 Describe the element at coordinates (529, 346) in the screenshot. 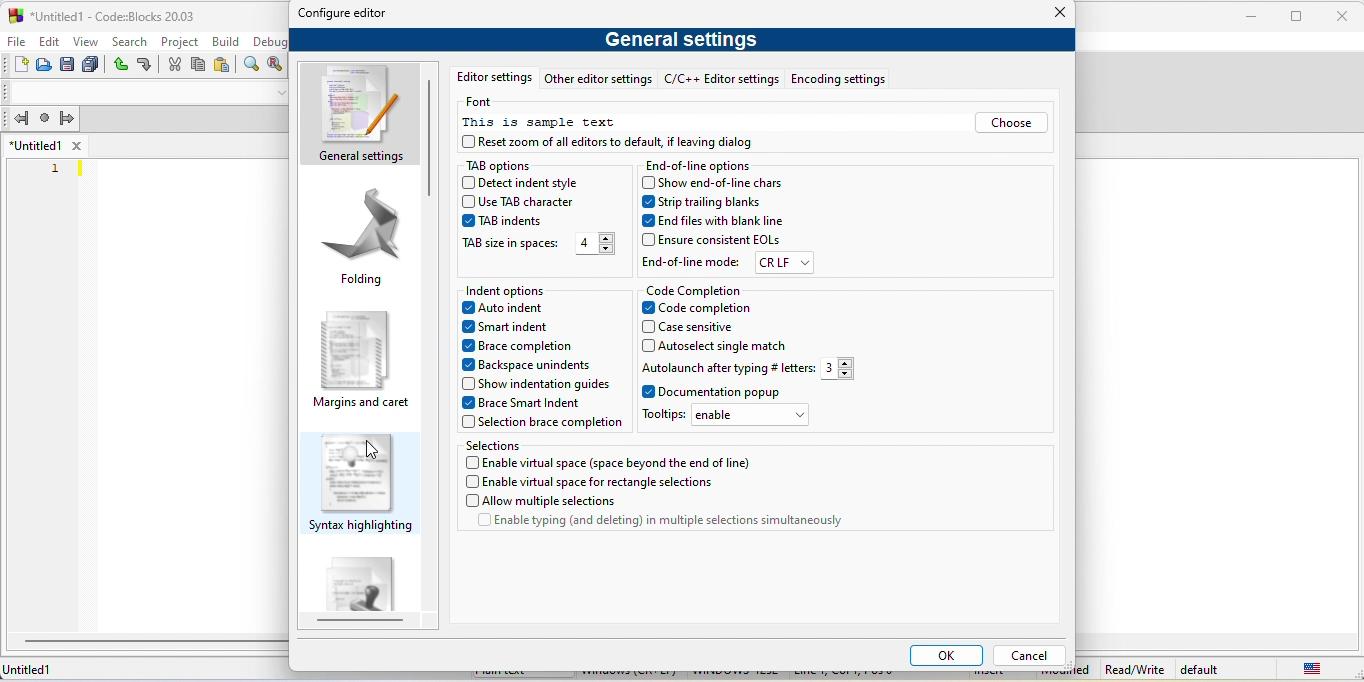

I see `brace completion` at that location.